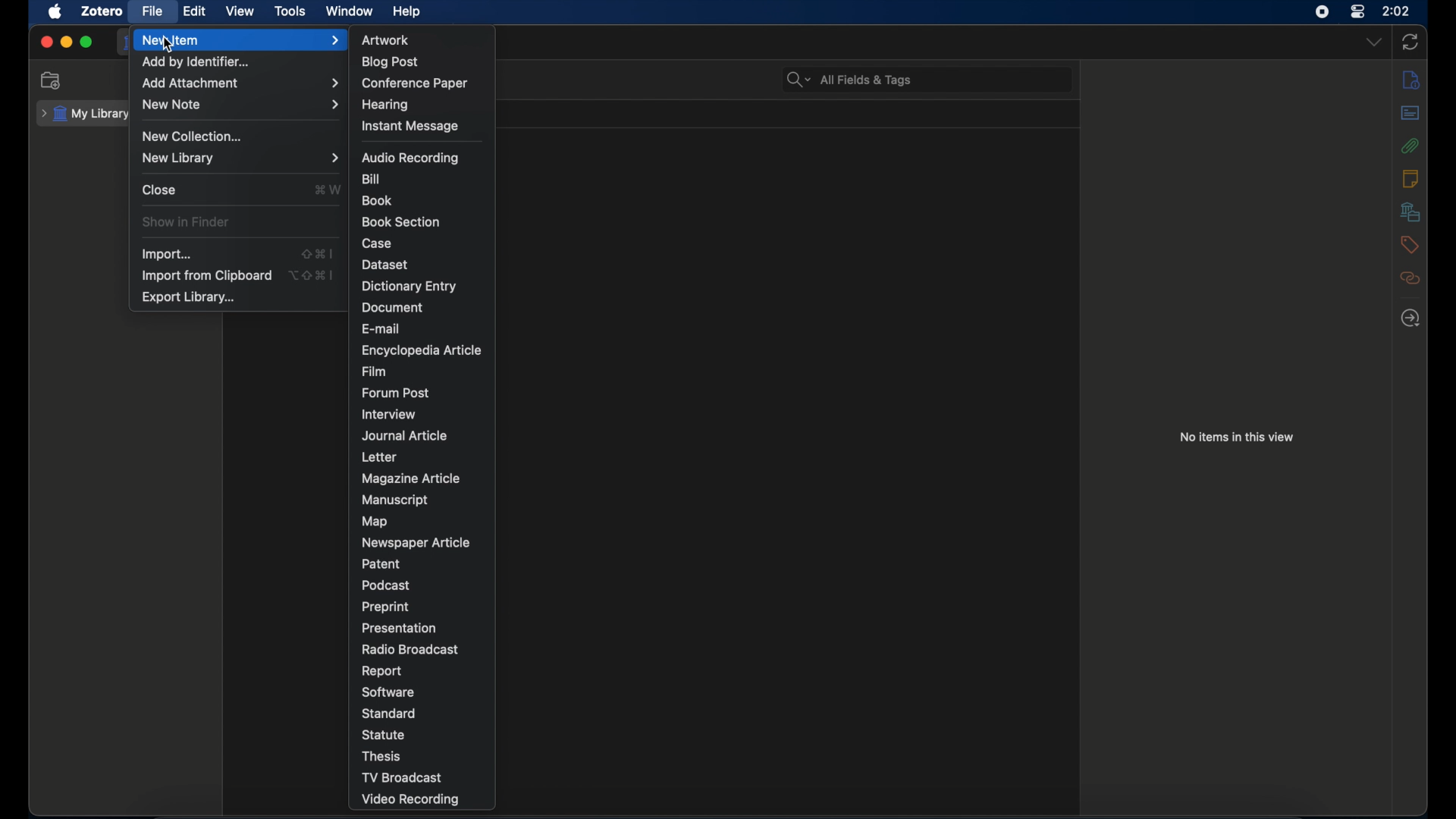  Describe the element at coordinates (391, 307) in the screenshot. I see `document` at that location.